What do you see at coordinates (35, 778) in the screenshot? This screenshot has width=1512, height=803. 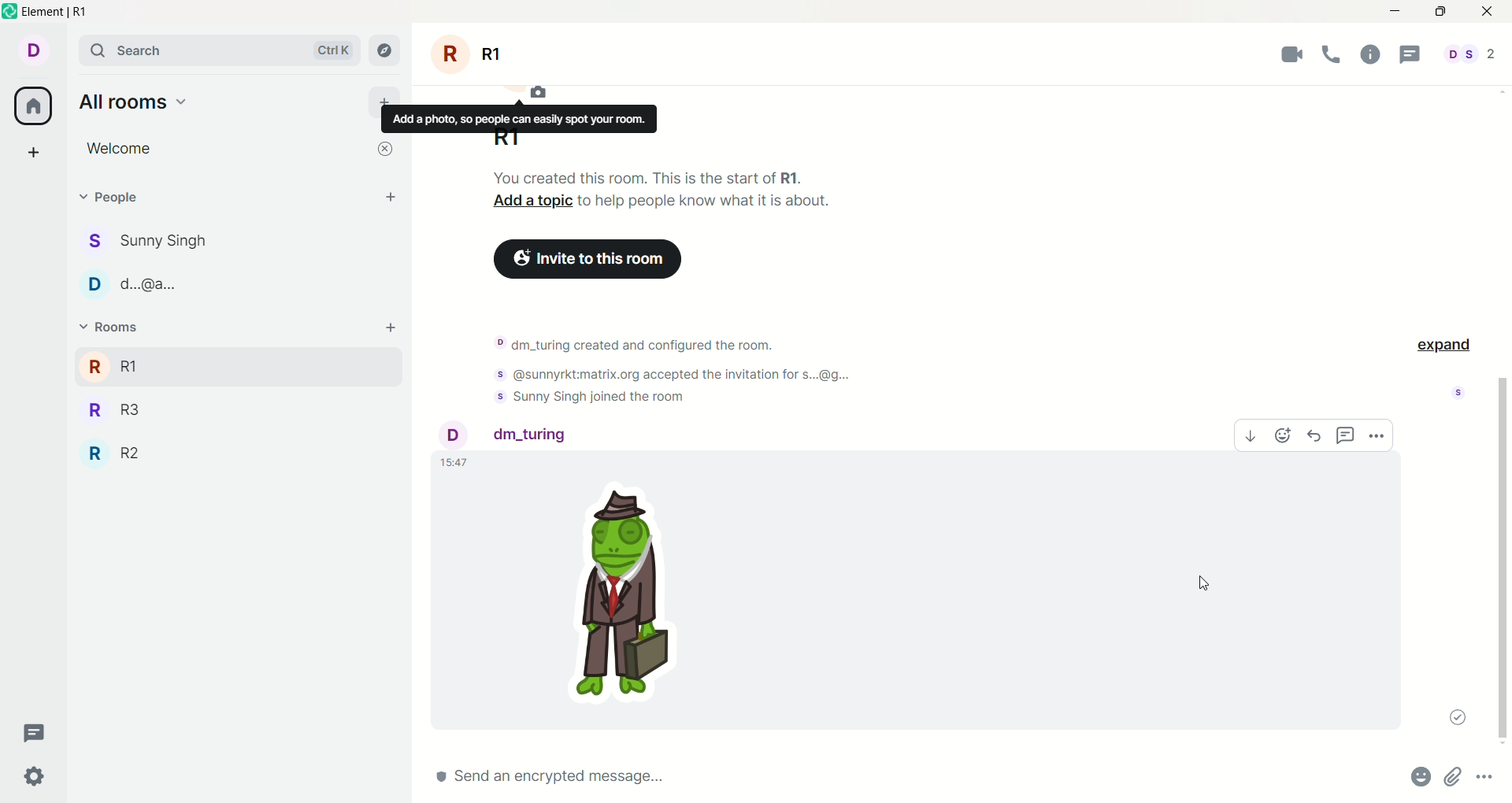 I see `settings` at bounding box center [35, 778].